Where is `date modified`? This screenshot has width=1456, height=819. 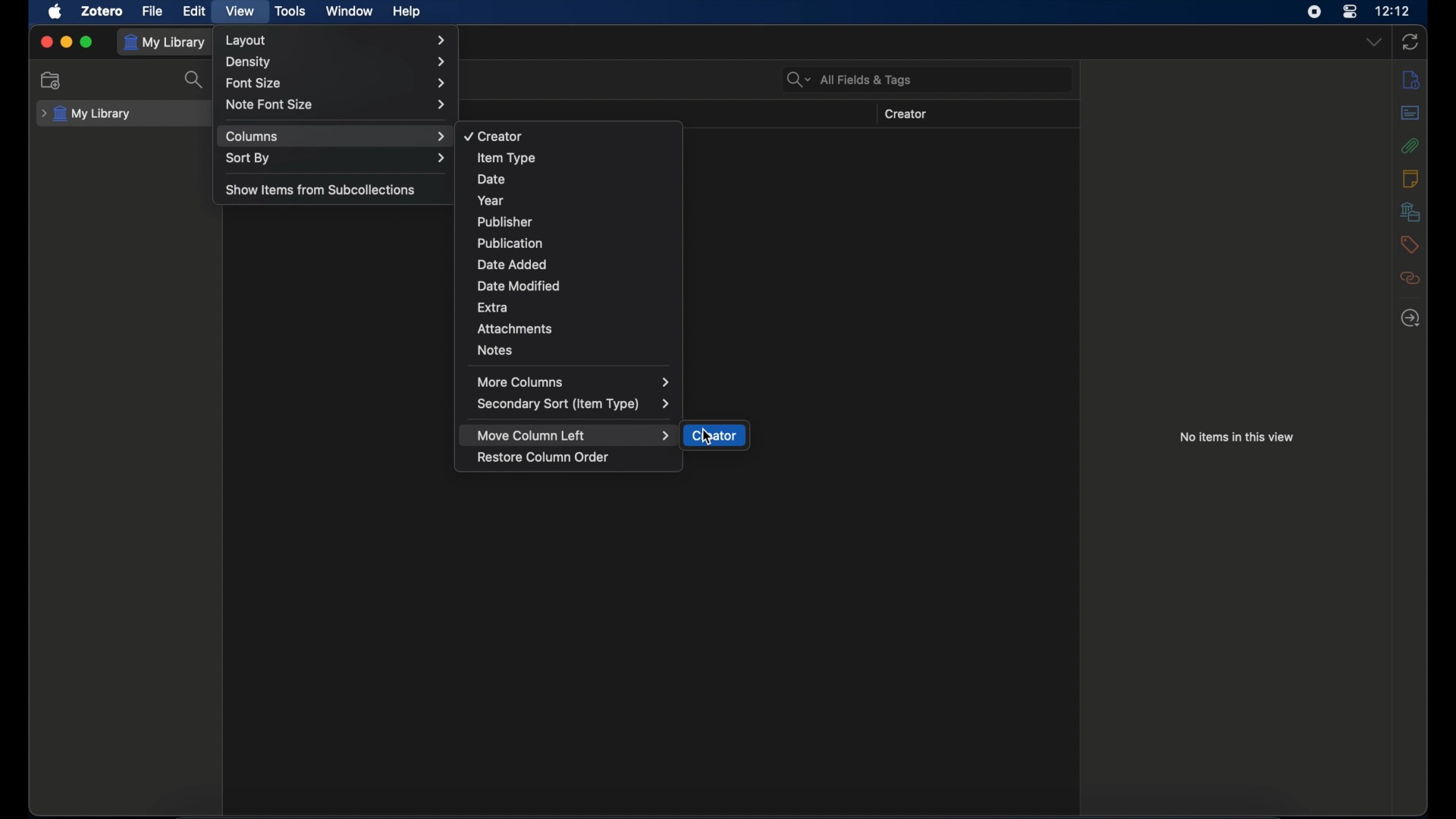 date modified is located at coordinates (520, 286).